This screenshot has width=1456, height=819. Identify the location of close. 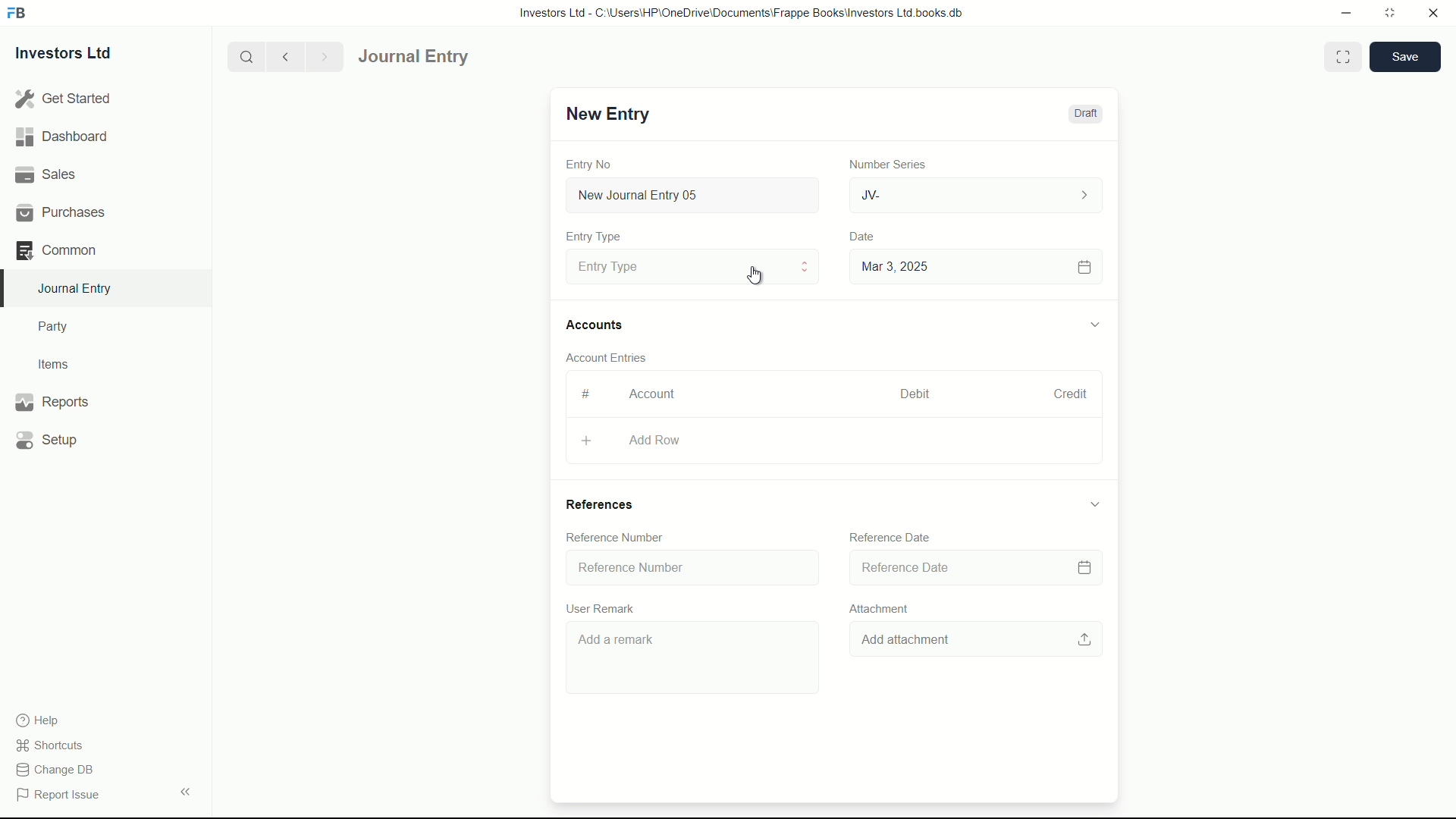
(1434, 14).